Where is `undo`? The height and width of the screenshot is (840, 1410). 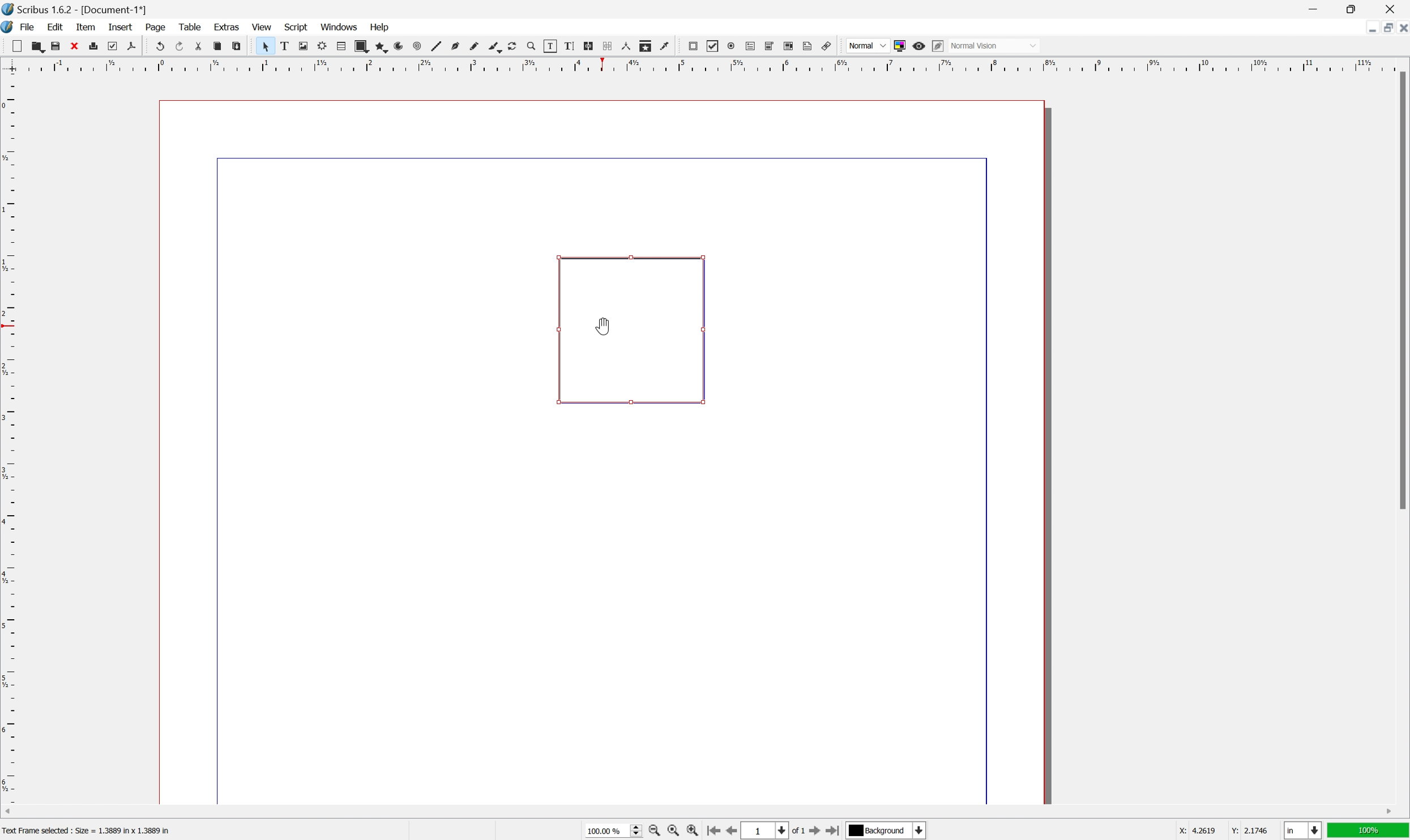 undo is located at coordinates (158, 45).